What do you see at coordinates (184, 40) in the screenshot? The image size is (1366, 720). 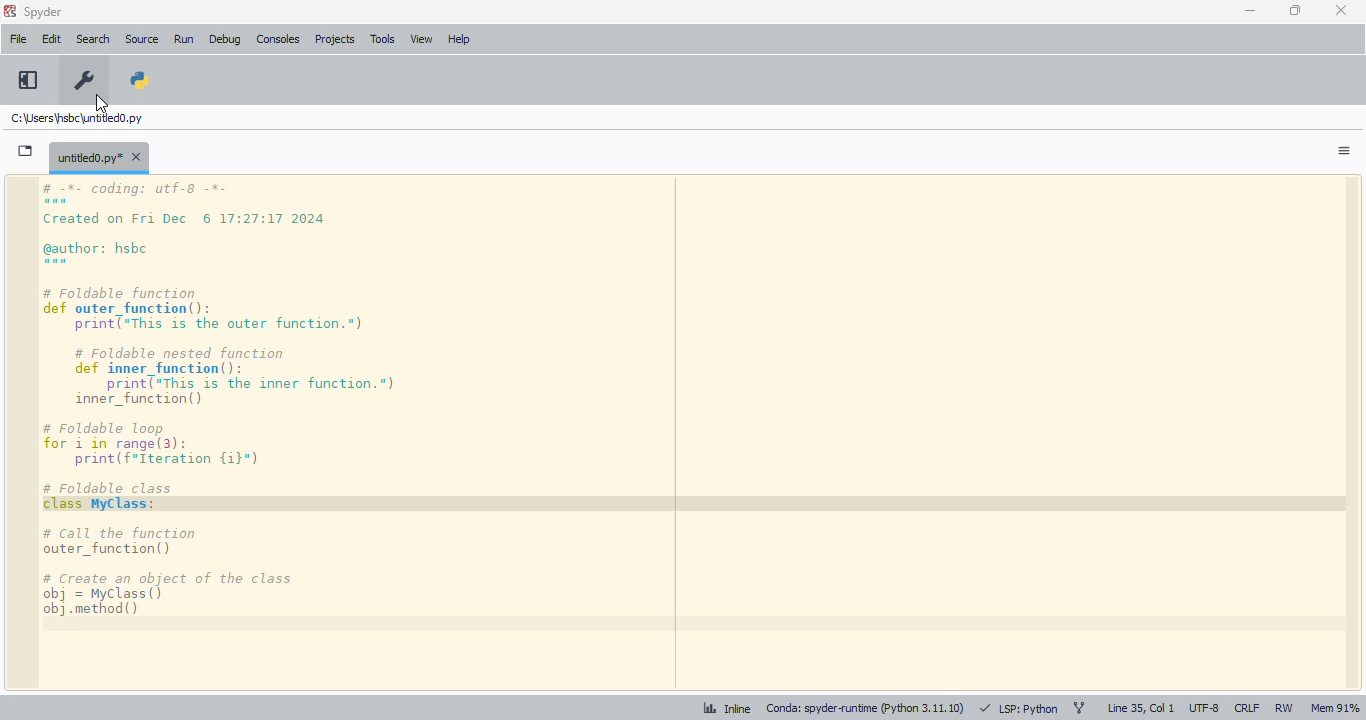 I see `run` at bounding box center [184, 40].